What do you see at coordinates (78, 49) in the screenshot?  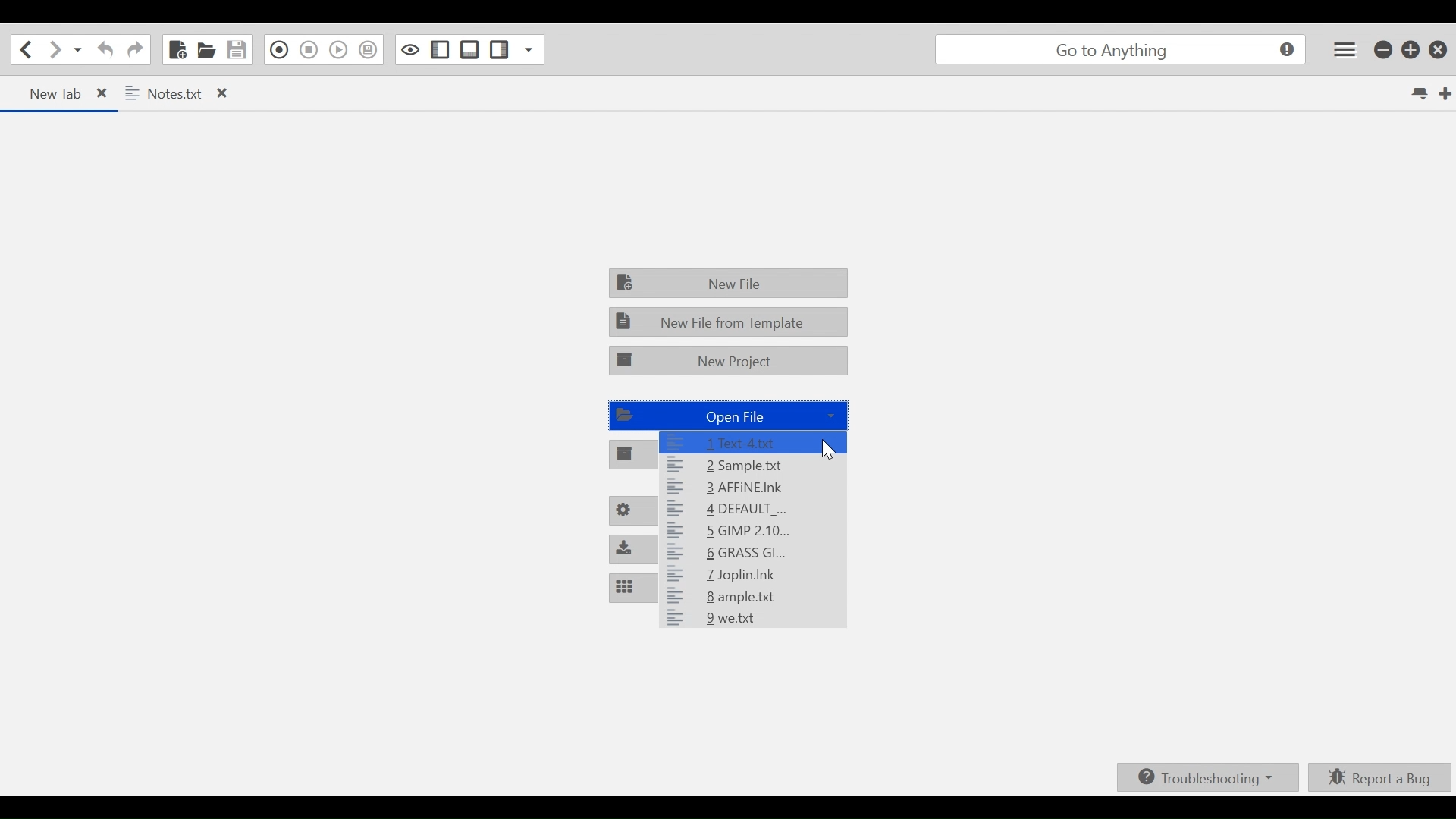 I see `Recent LOcations` at bounding box center [78, 49].